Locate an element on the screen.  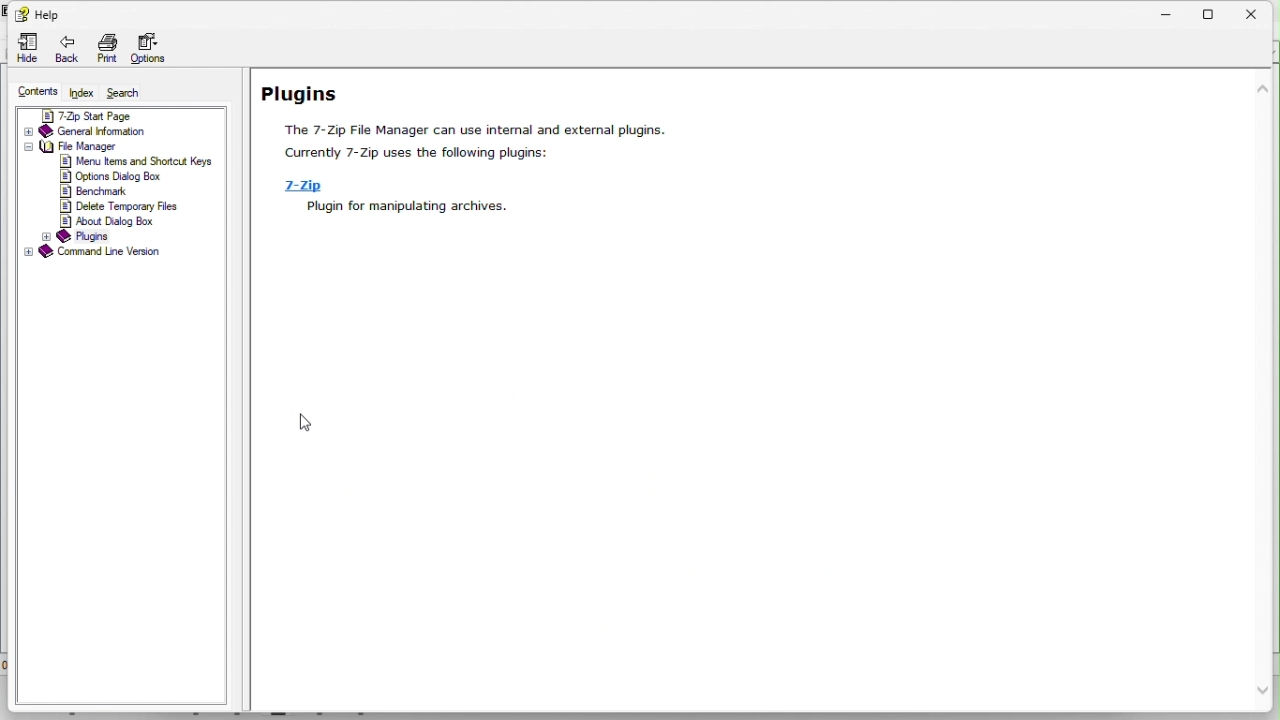
menu items is located at coordinates (136, 162).